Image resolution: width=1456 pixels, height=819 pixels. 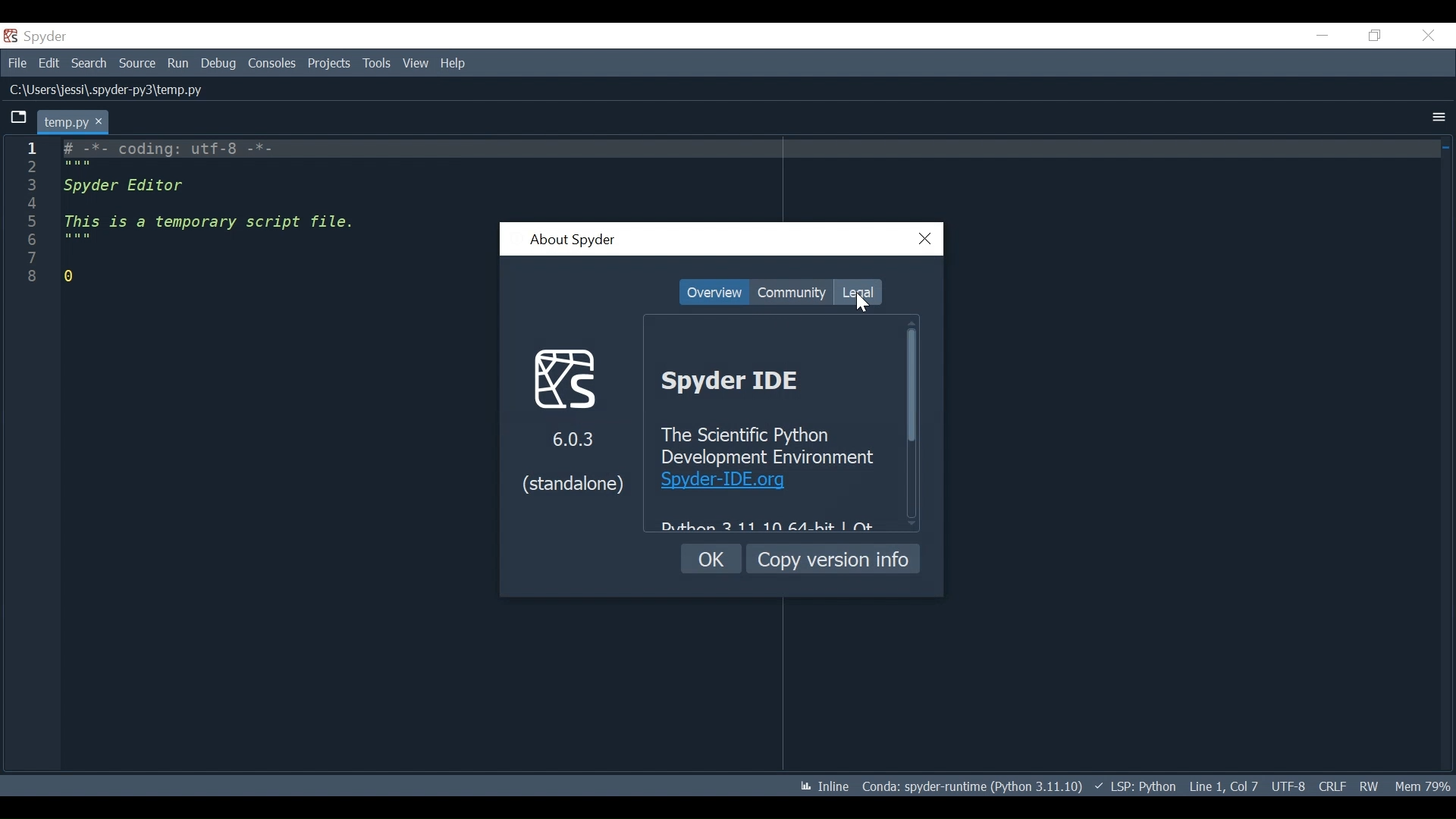 What do you see at coordinates (1368, 786) in the screenshot?
I see `RW` at bounding box center [1368, 786].